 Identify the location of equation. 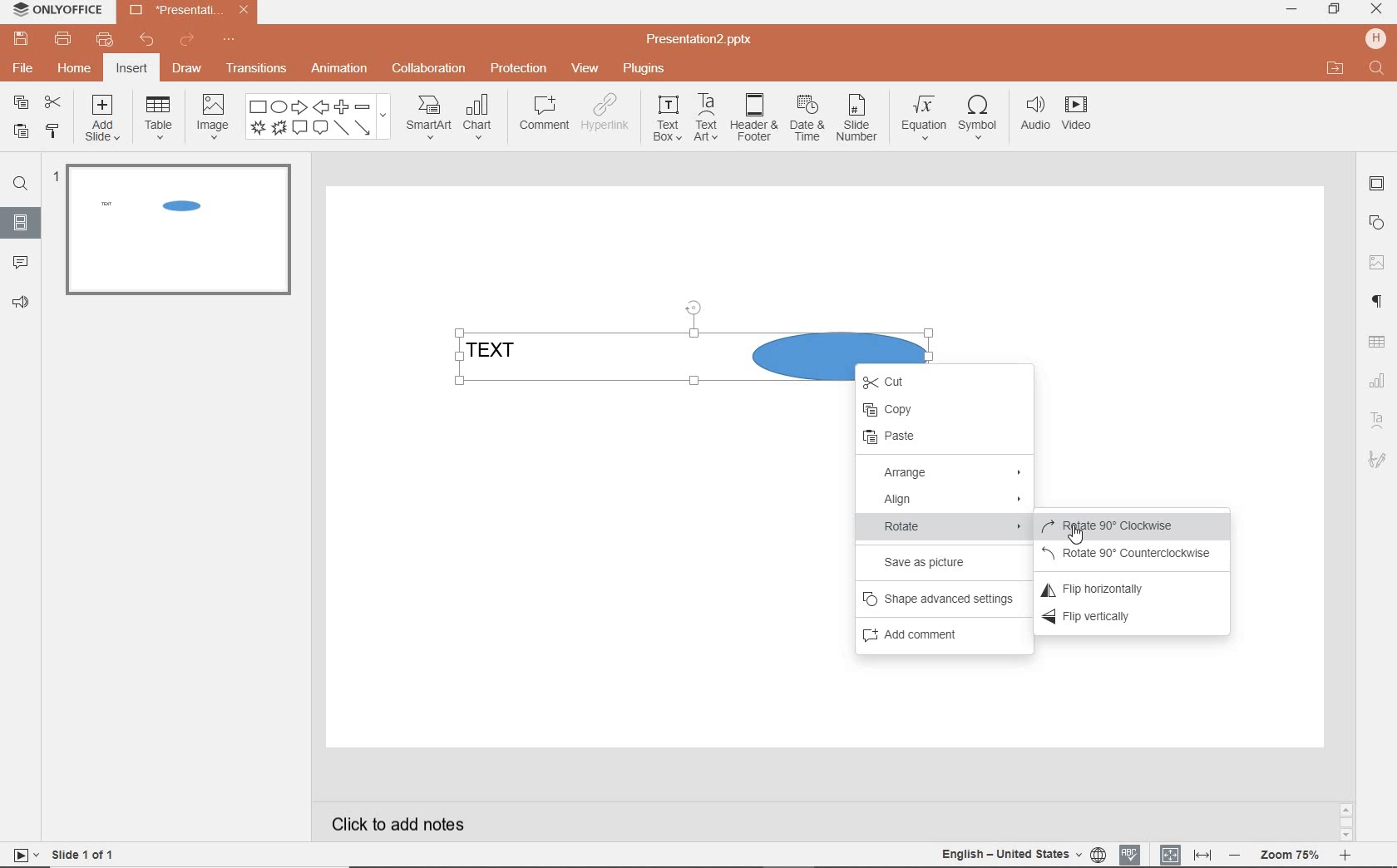
(921, 121).